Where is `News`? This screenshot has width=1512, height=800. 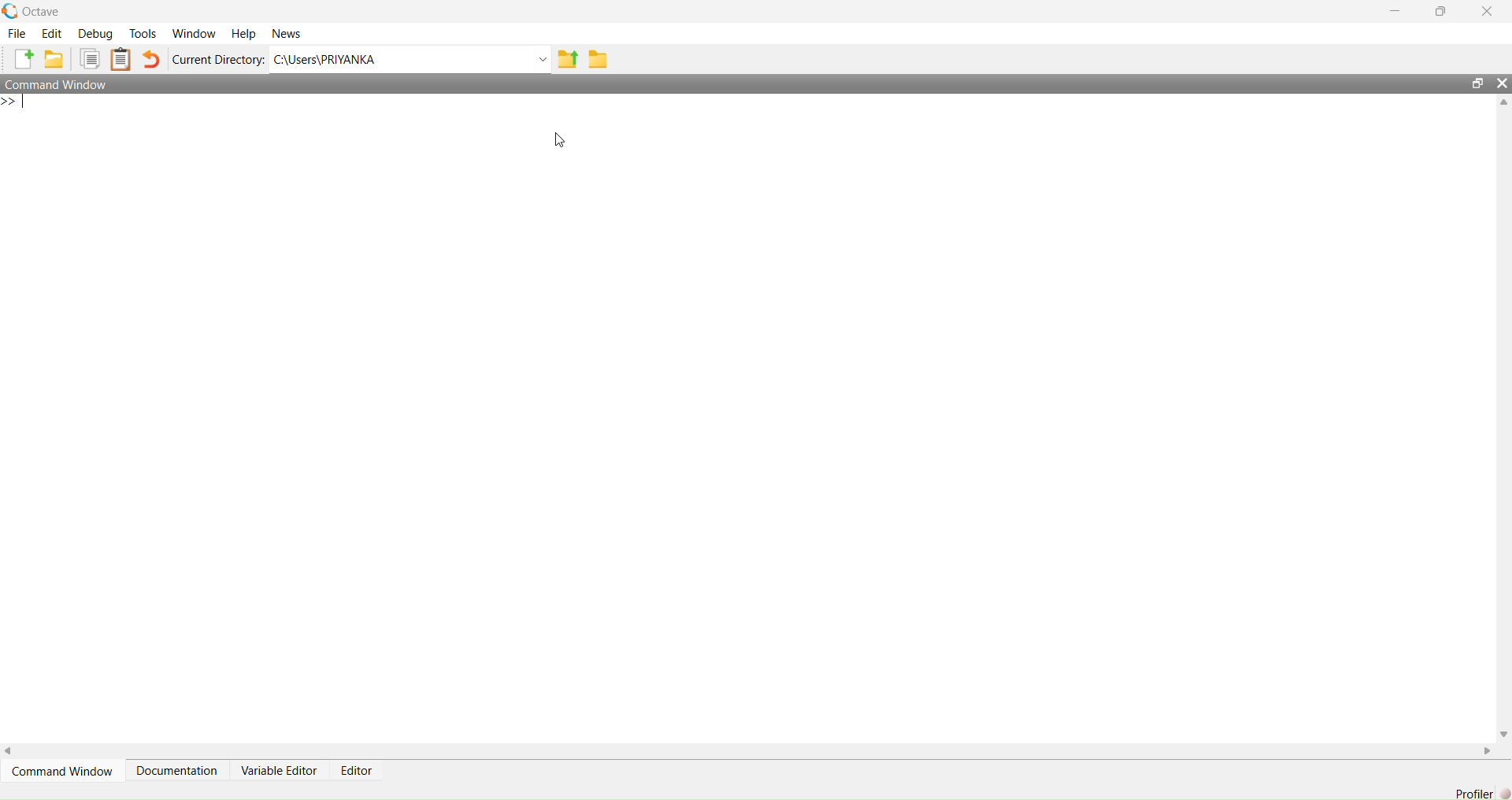
News is located at coordinates (286, 34).